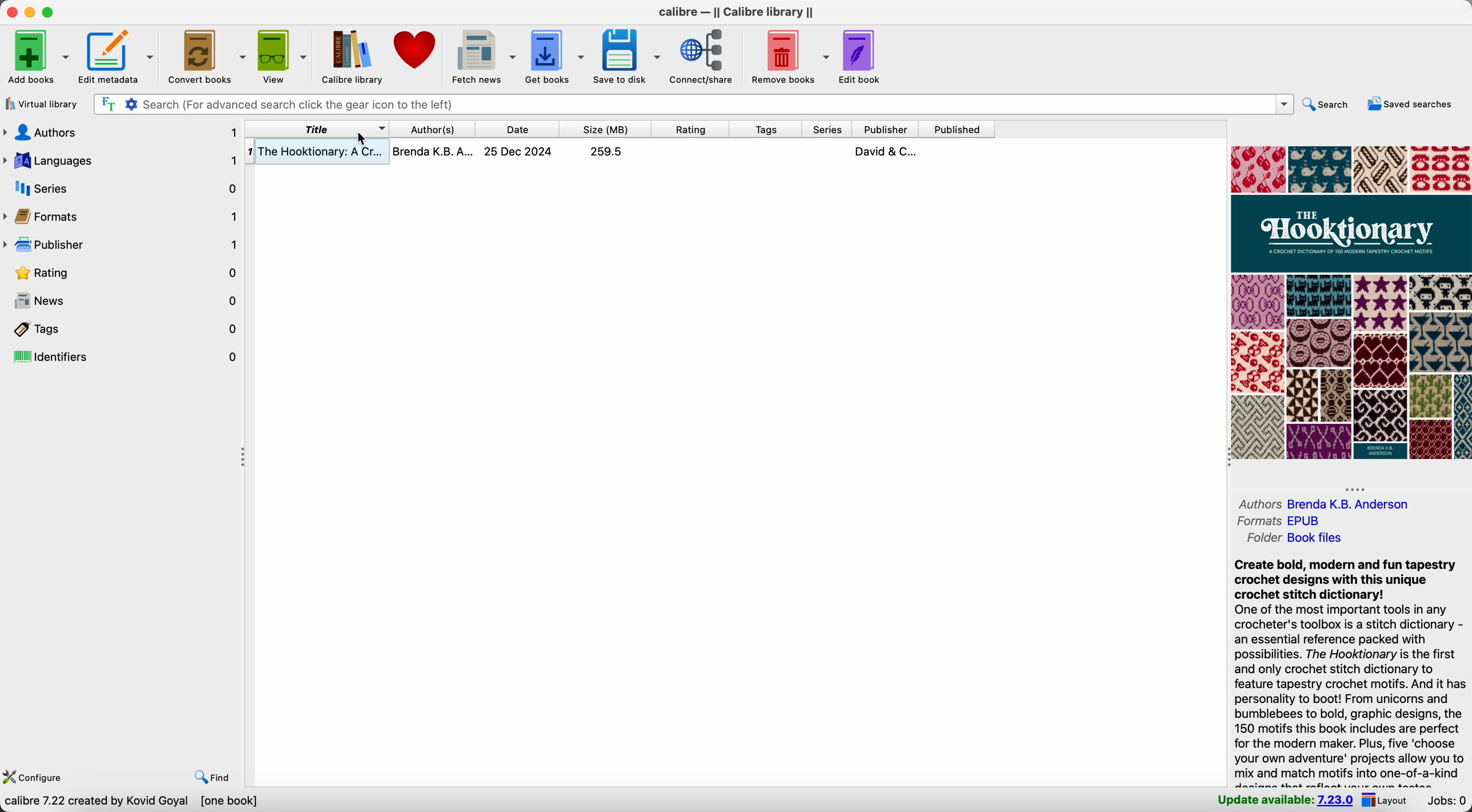 This screenshot has height=812, width=1472. Describe the element at coordinates (735, 10) in the screenshot. I see `Calibre` at that location.